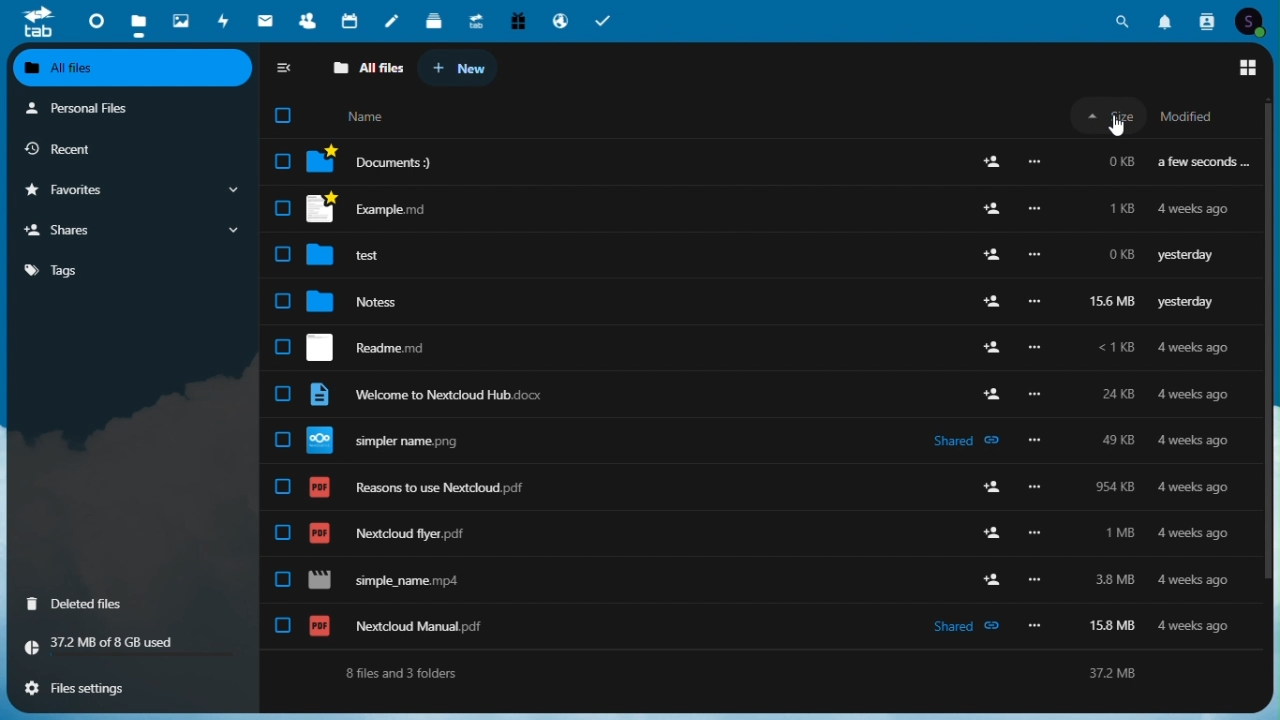 This screenshot has width=1280, height=720. I want to click on Organised by name, so click(371, 117).